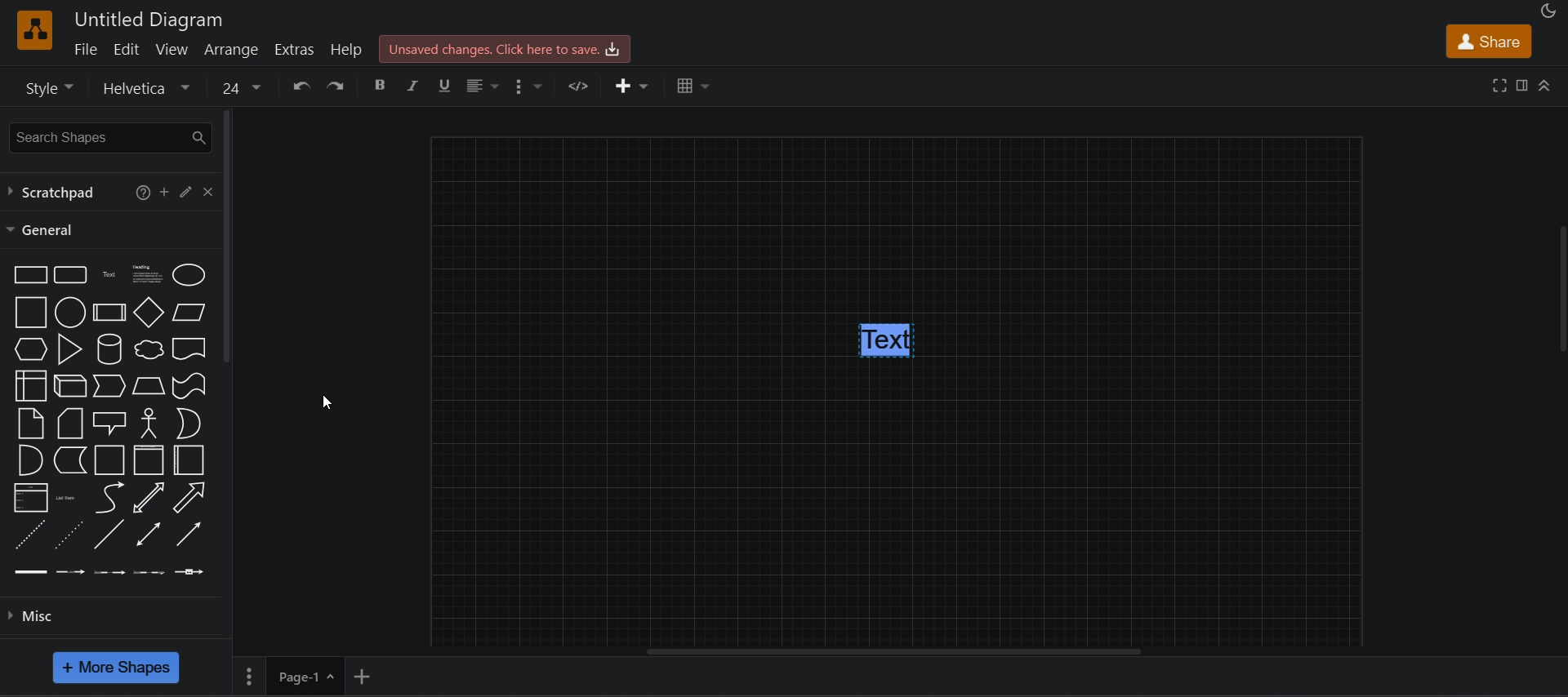  Describe the element at coordinates (506, 49) in the screenshot. I see `Unsaved changes. click here to save` at that location.